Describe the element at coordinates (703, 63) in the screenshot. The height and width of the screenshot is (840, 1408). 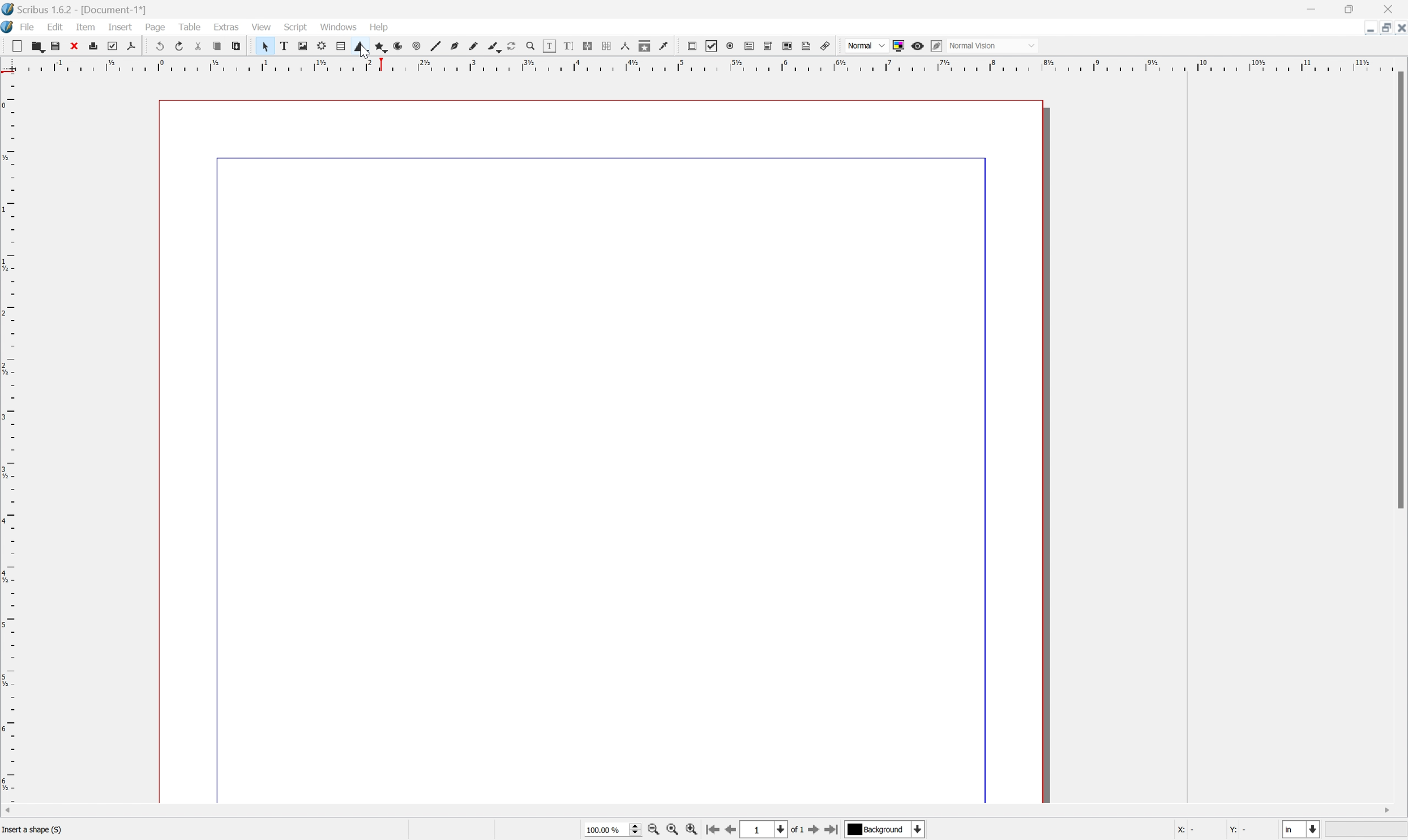
I see `Scale` at that location.